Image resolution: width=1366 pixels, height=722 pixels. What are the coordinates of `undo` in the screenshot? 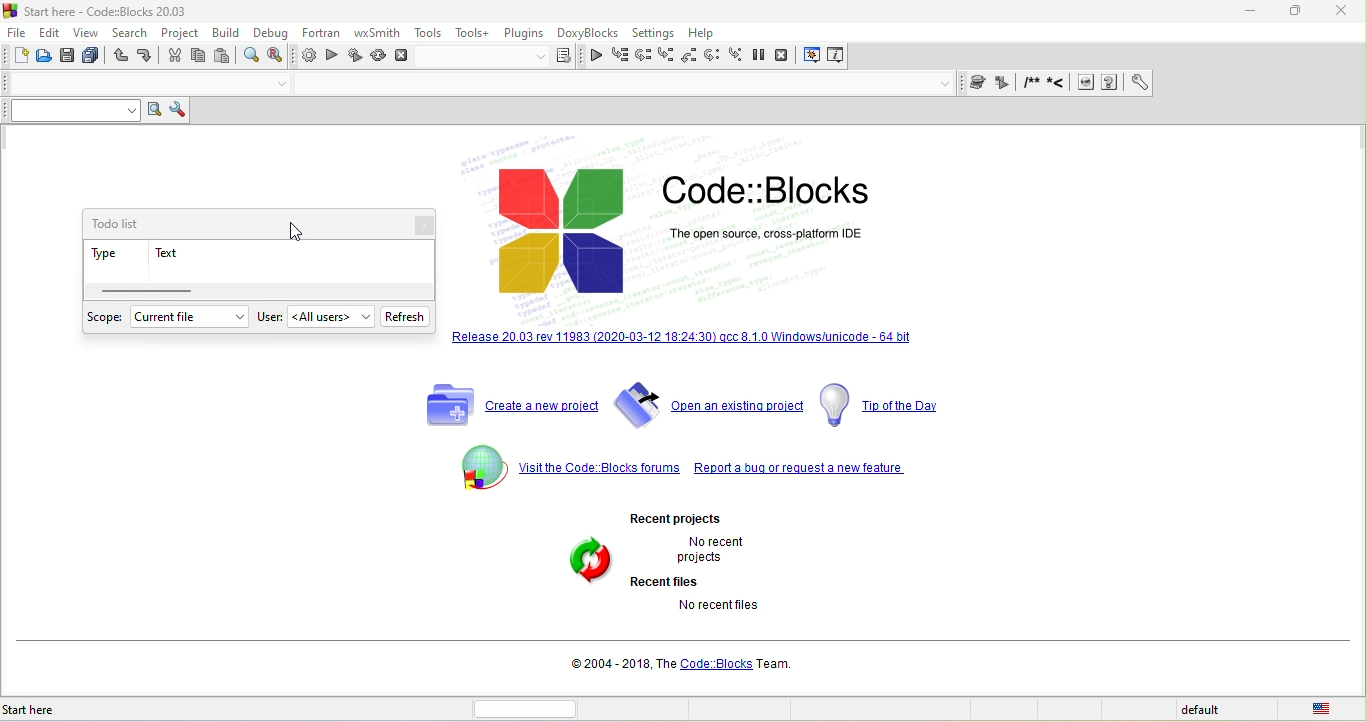 It's located at (120, 58).